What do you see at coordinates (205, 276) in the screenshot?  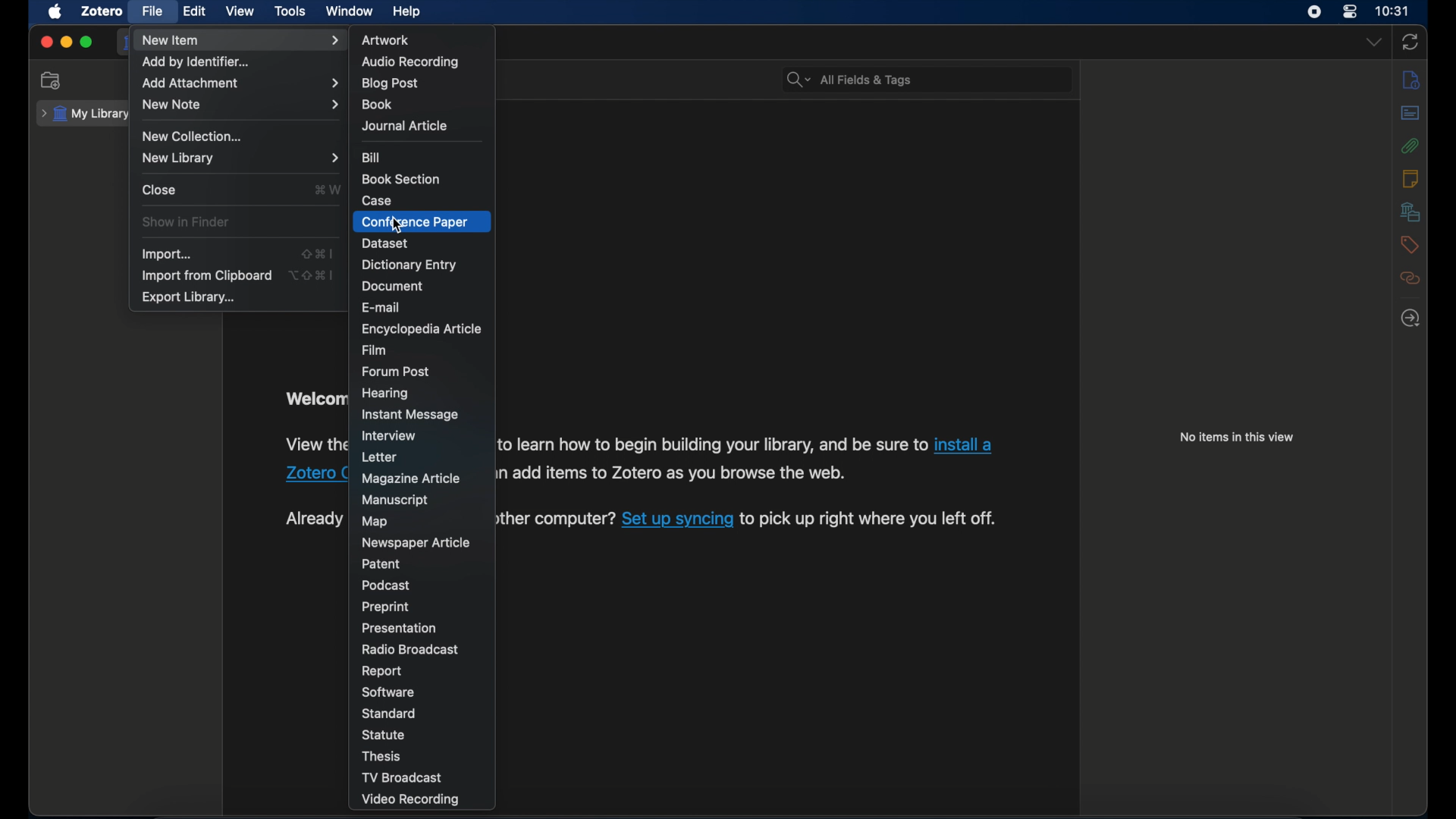 I see `import from clipboard` at bounding box center [205, 276].